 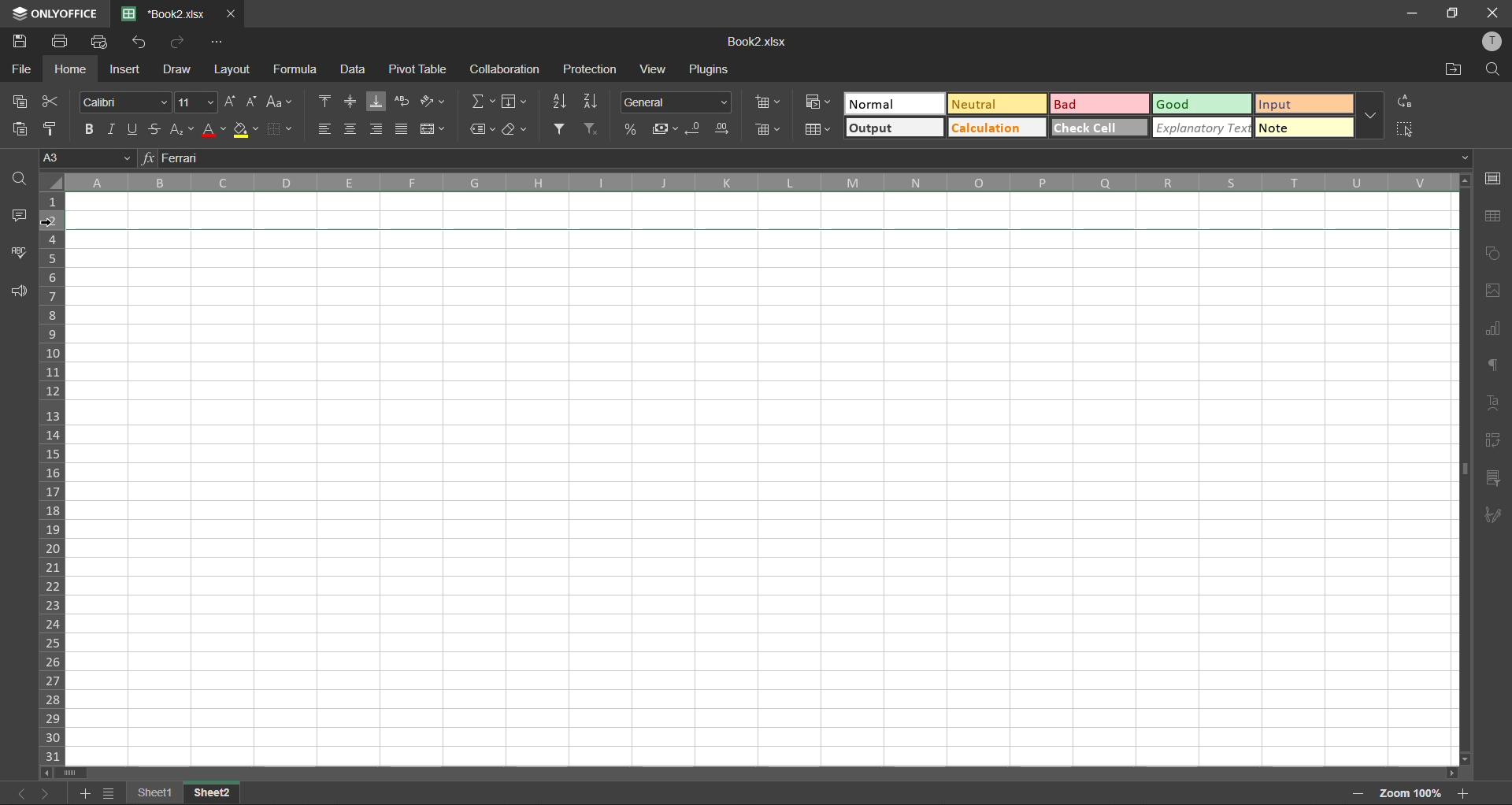 I want to click on conditional formatting, so click(x=819, y=101).